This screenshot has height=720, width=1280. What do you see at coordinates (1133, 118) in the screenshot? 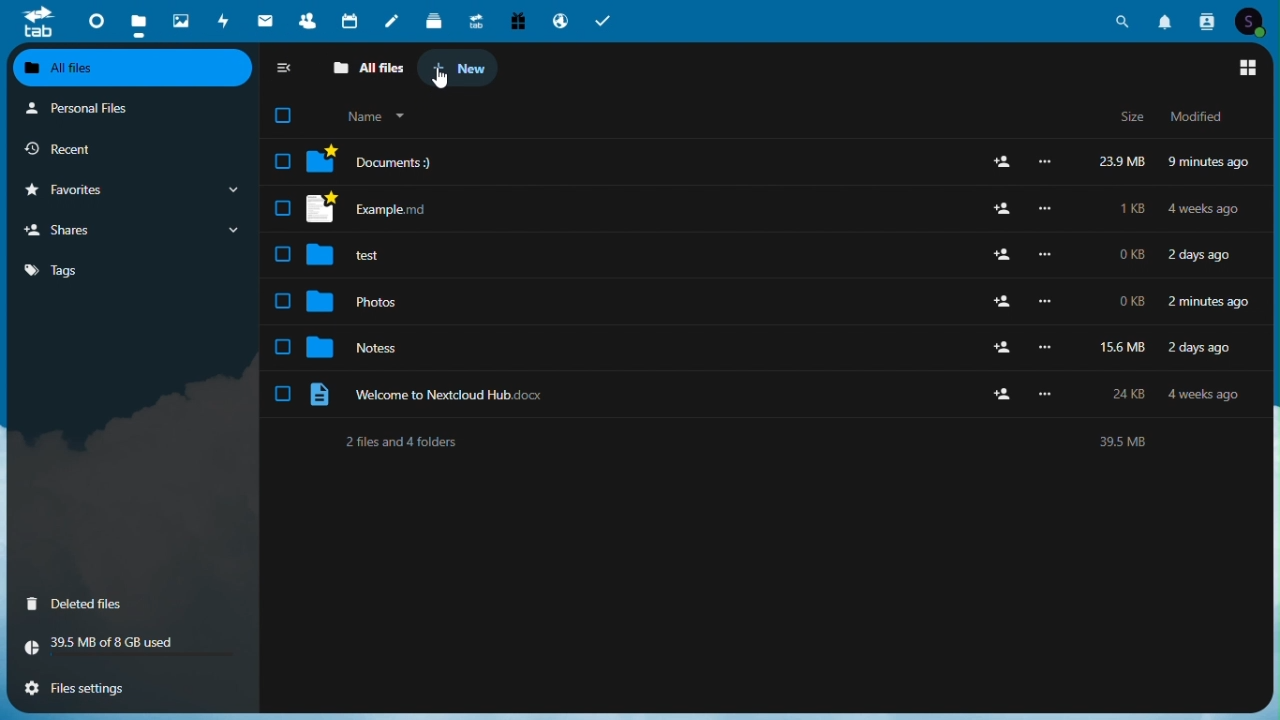
I see `Size` at bounding box center [1133, 118].